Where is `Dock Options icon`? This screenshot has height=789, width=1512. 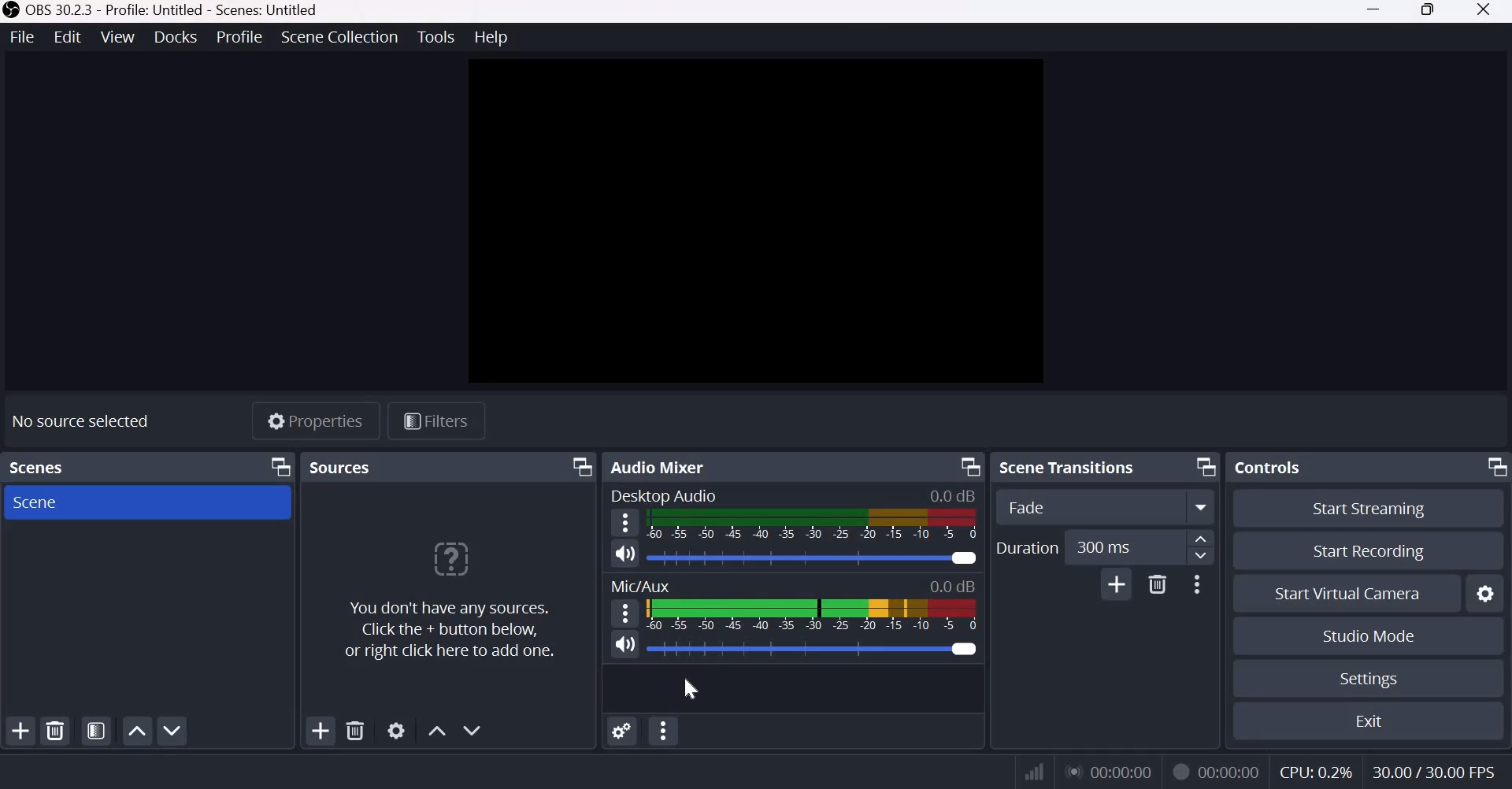
Dock Options icon is located at coordinates (1492, 469).